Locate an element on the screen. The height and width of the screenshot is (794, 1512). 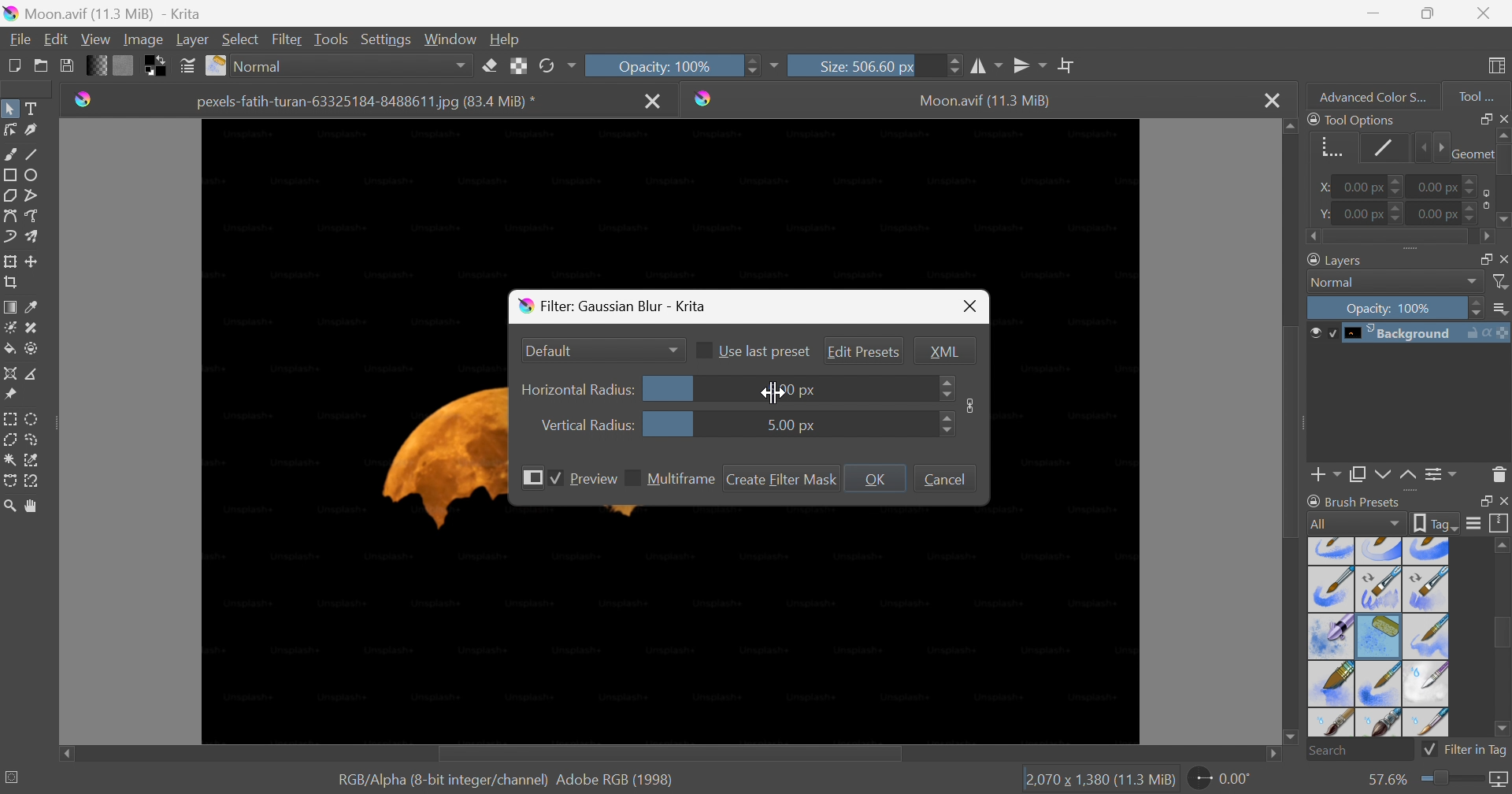
Image is located at coordinates (971, 404).